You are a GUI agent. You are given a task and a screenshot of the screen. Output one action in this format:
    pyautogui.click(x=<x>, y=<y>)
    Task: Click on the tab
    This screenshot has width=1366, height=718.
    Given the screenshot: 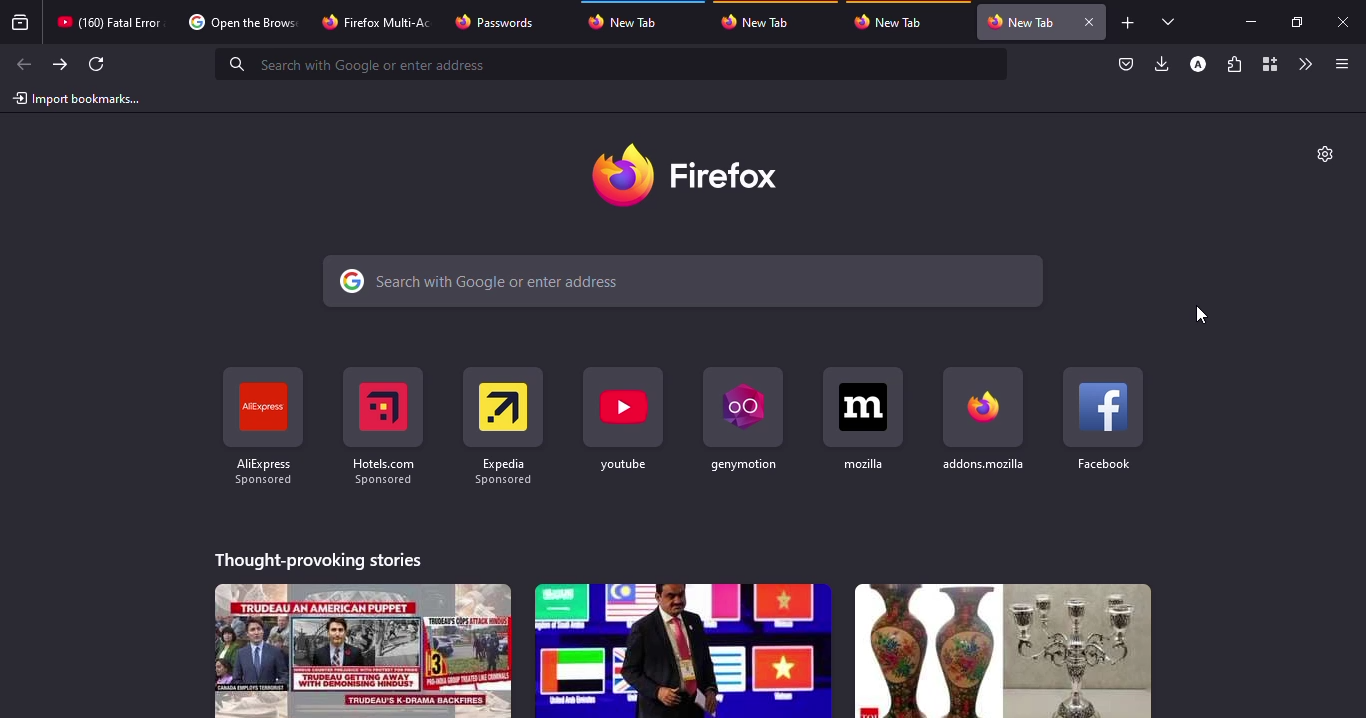 What is the action you would take?
    pyautogui.click(x=629, y=22)
    